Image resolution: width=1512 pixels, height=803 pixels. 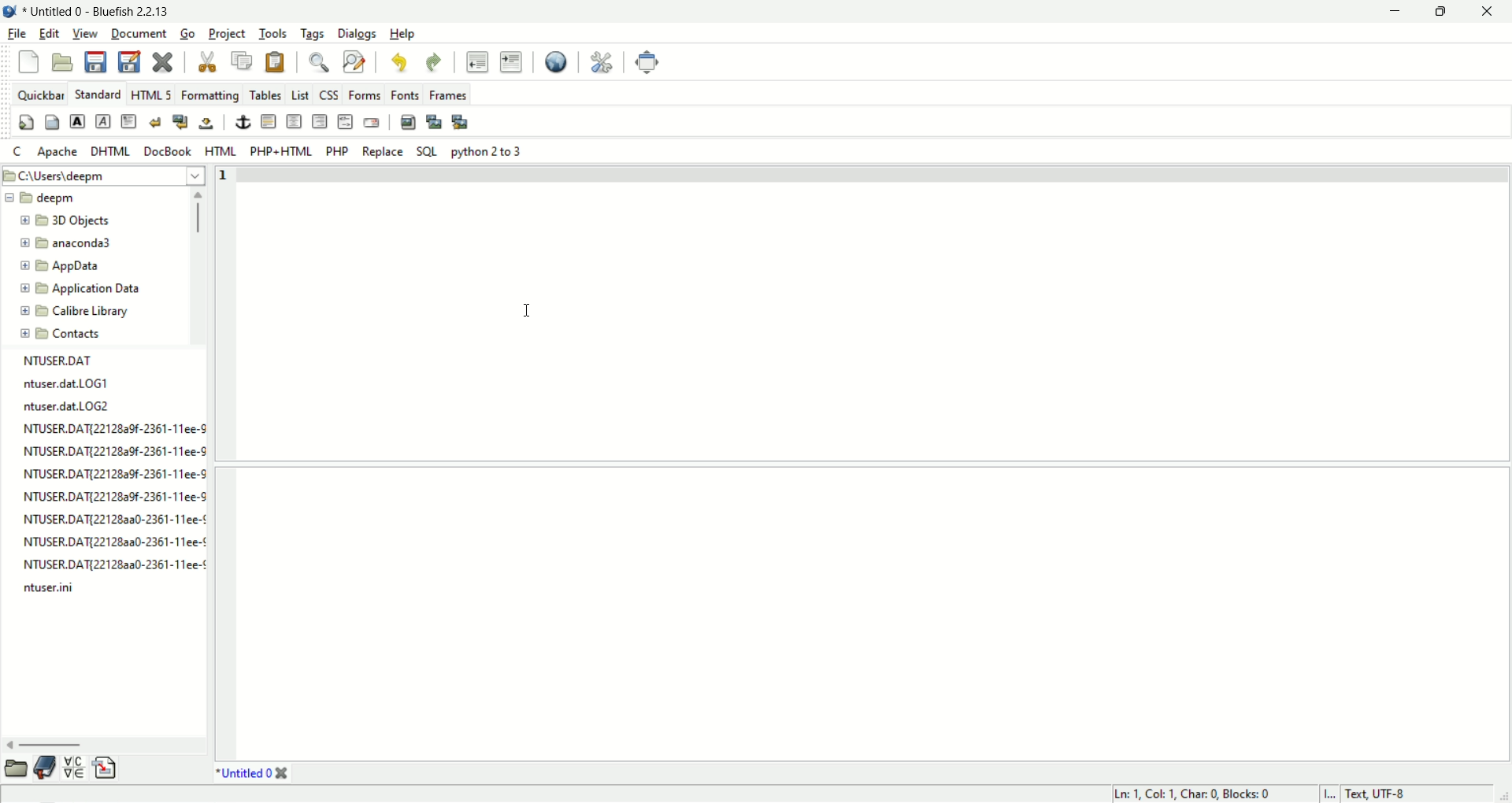 I want to click on close, so click(x=164, y=61).